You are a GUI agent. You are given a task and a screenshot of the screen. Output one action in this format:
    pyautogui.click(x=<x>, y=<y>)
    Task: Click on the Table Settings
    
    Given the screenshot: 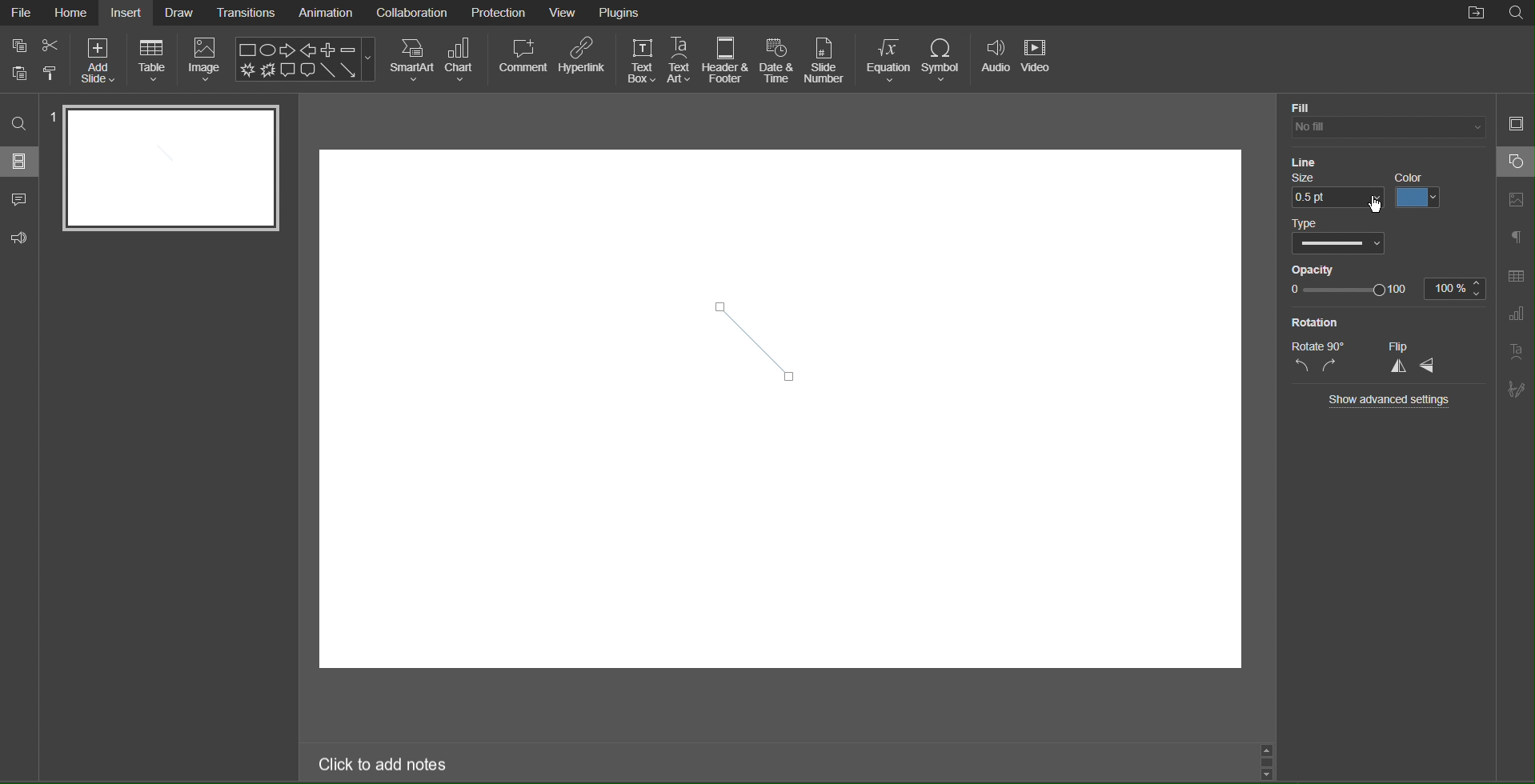 What is the action you would take?
    pyautogui.click(x=1516, y=275)
    